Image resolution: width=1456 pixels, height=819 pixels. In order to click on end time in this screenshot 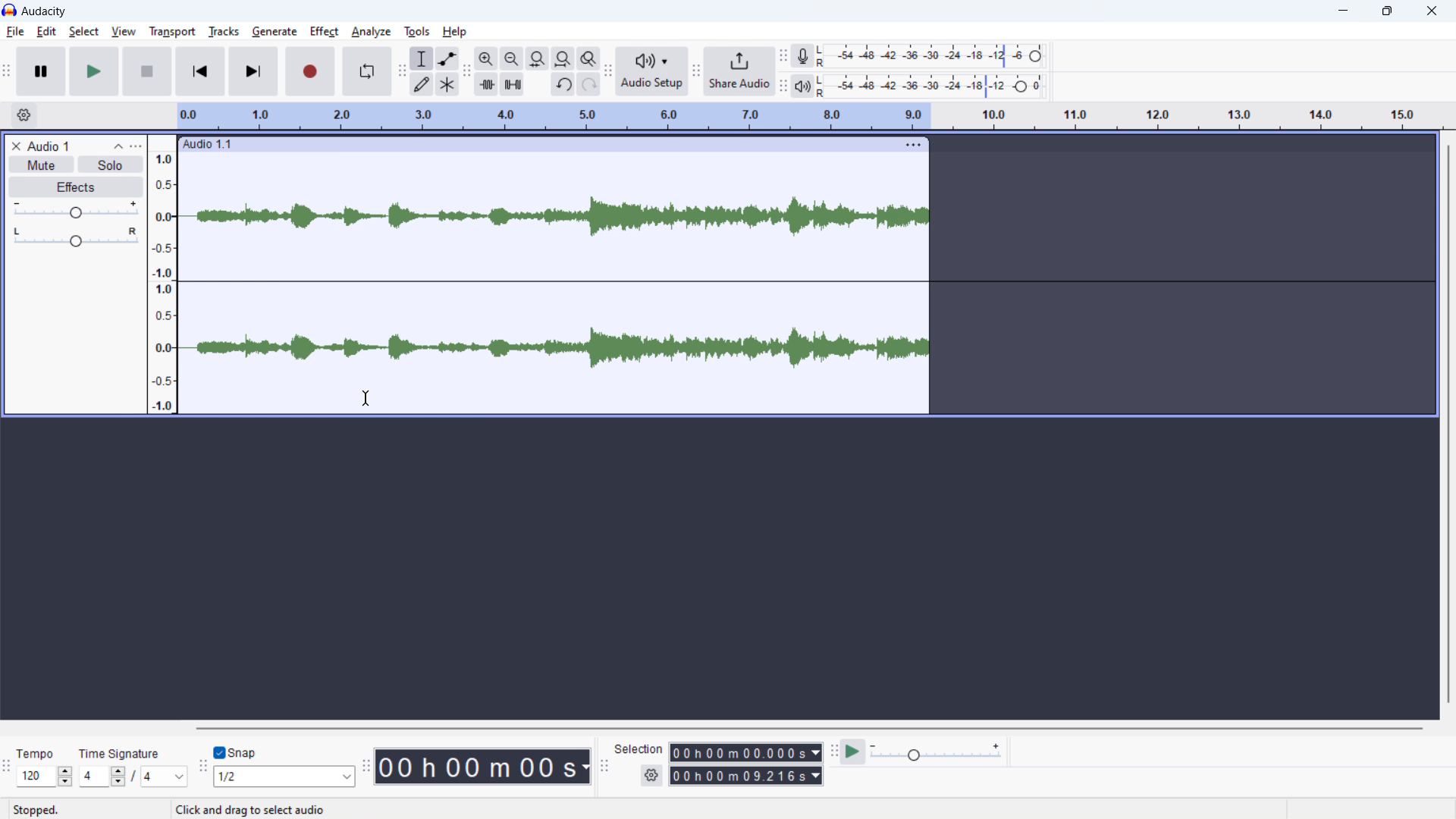, I will do `click(747, 776)`.